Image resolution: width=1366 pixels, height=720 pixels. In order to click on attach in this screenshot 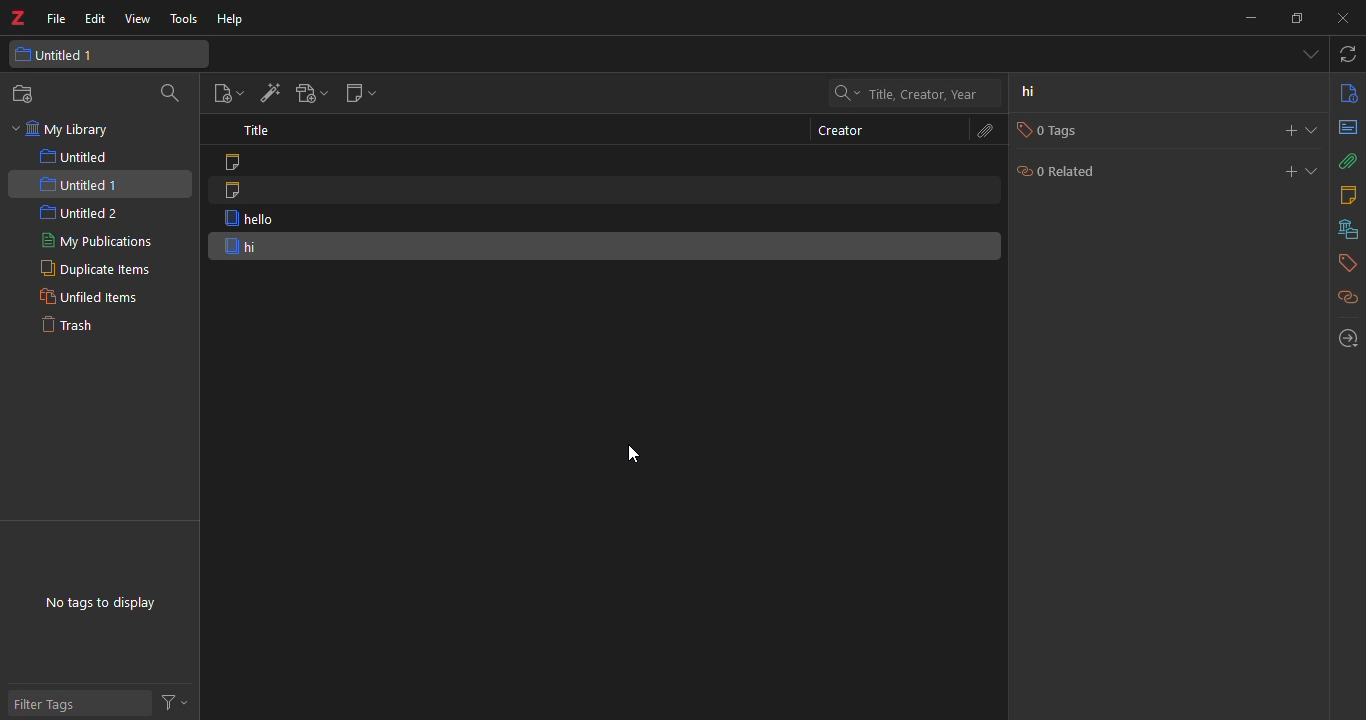, I will do `click(986, 132)`.